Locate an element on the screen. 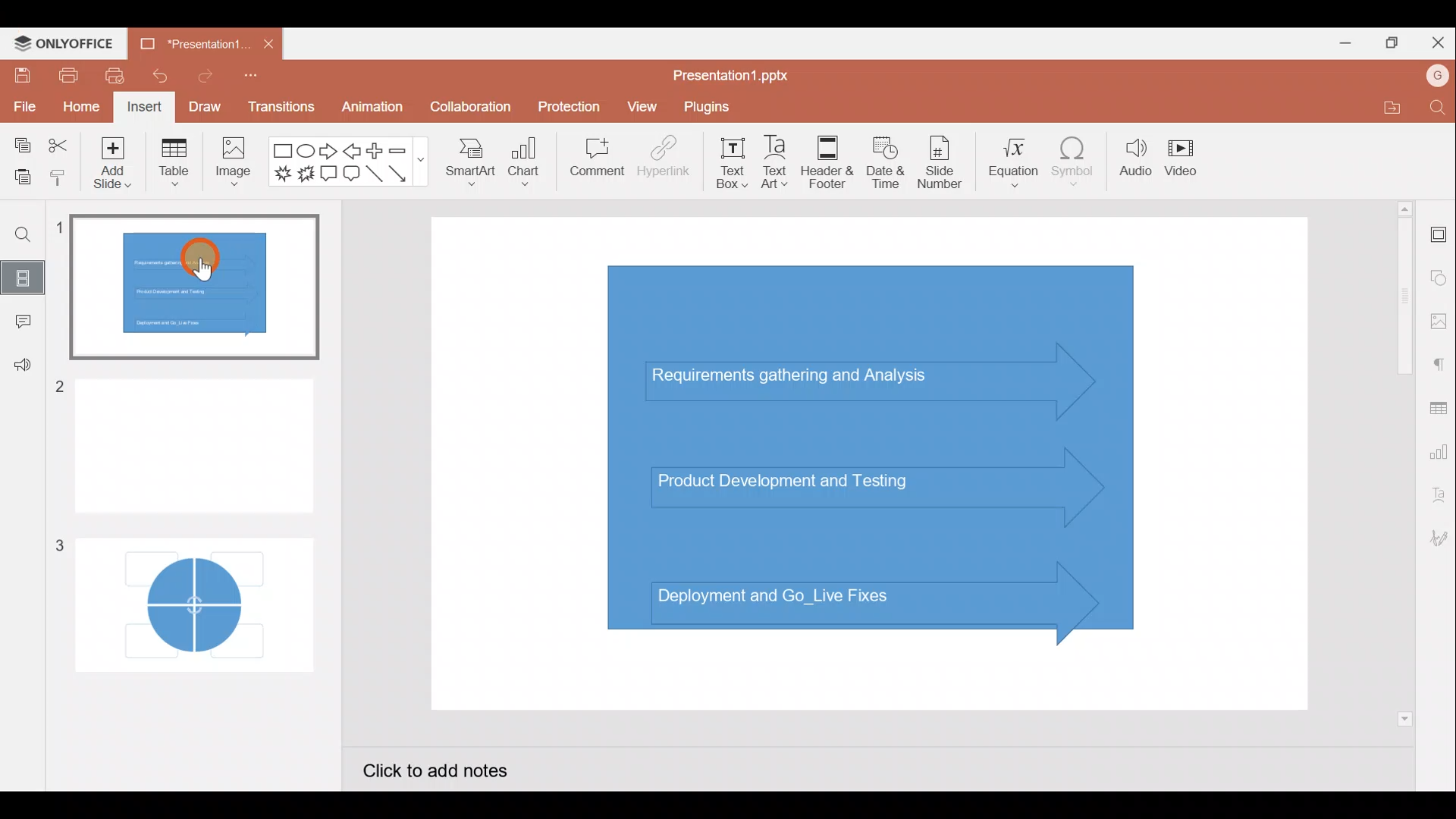  View is located at coordinates (642, 108).